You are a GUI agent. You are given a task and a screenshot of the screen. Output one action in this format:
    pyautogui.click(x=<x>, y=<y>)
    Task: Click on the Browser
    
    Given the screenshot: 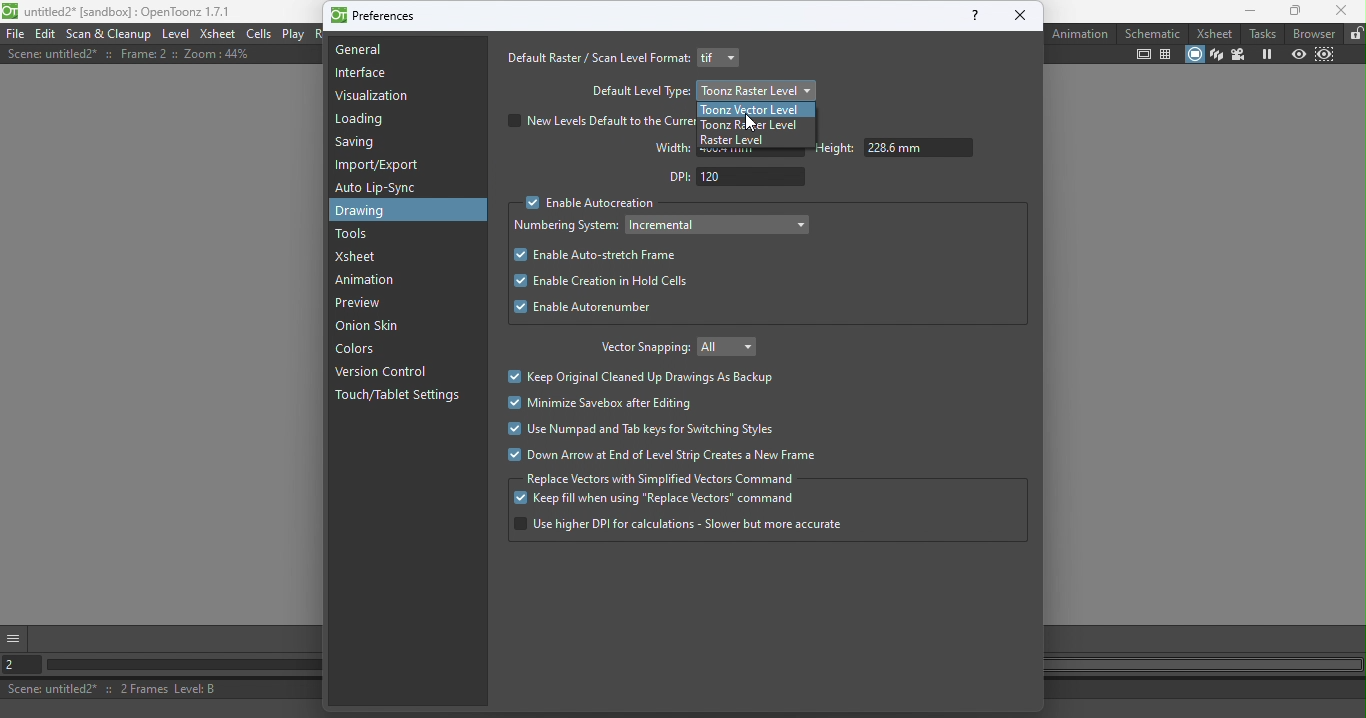 What is the action you would take?
    pyautogui.click(x=1311, y=33)
    